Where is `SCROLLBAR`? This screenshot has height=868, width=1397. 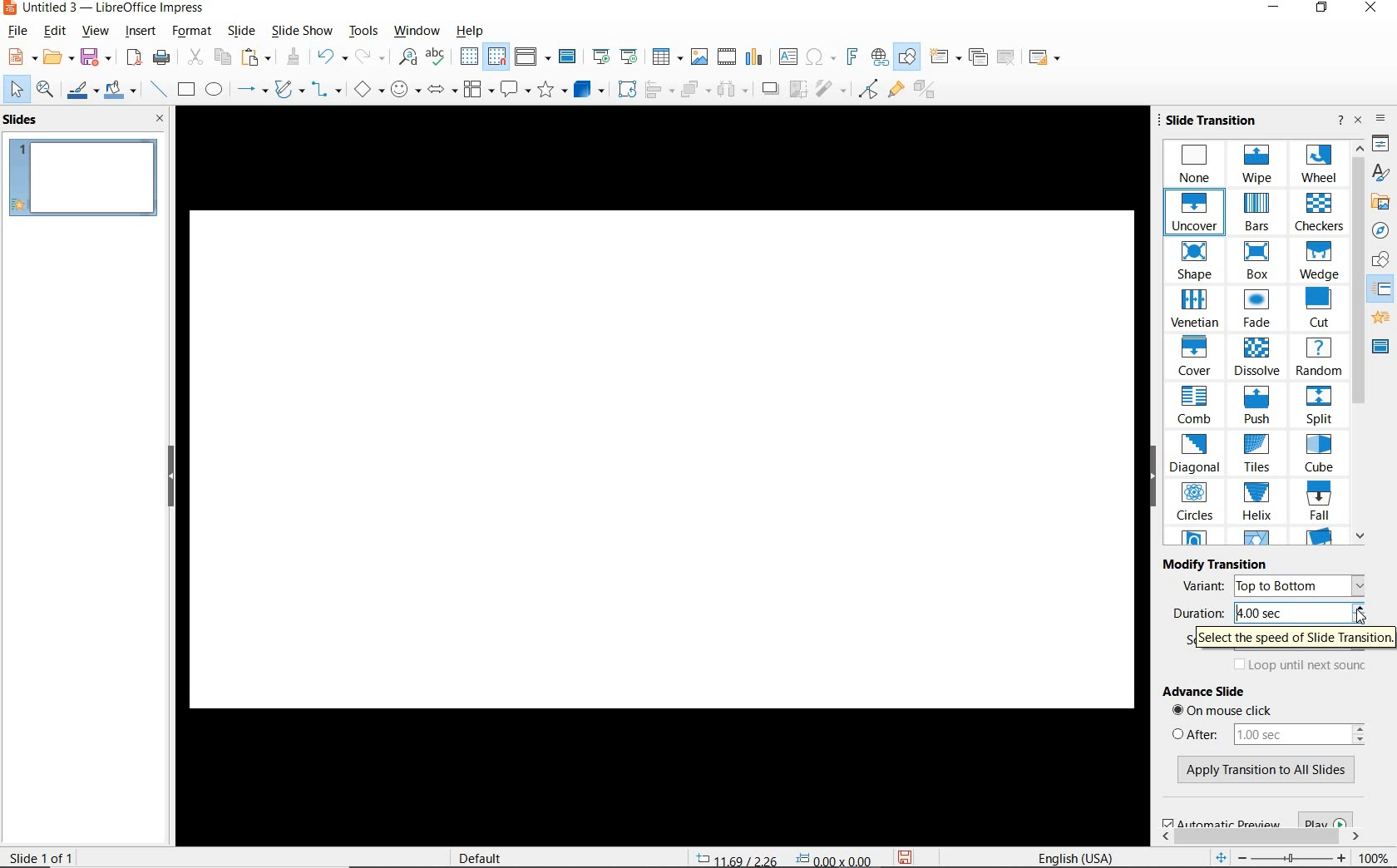
SCROLLBAR is located at coordinates (1259, 833).